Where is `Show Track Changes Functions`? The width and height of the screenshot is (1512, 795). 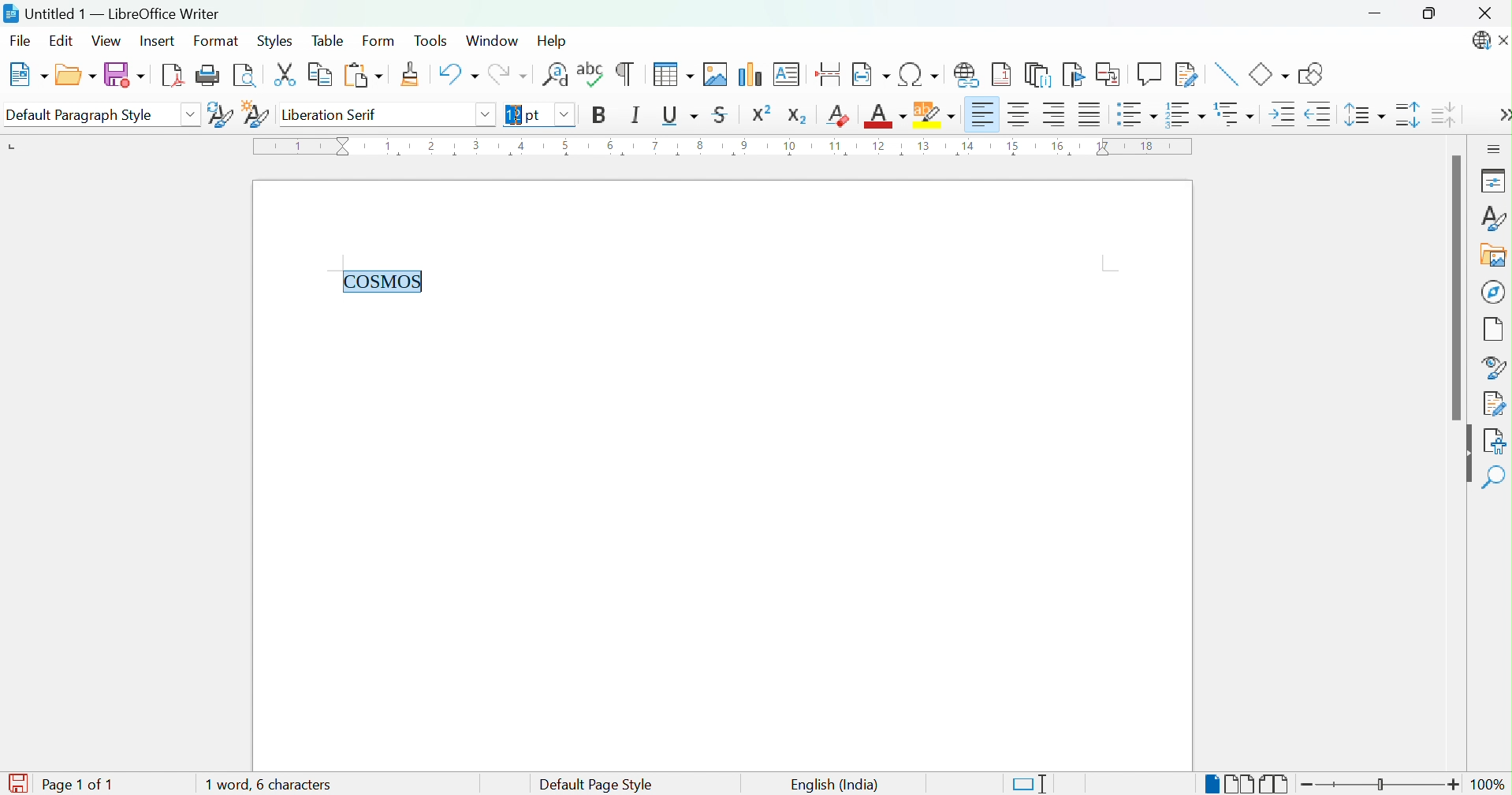 Show Track Changes Functions is located at coordinates (1187, 75).